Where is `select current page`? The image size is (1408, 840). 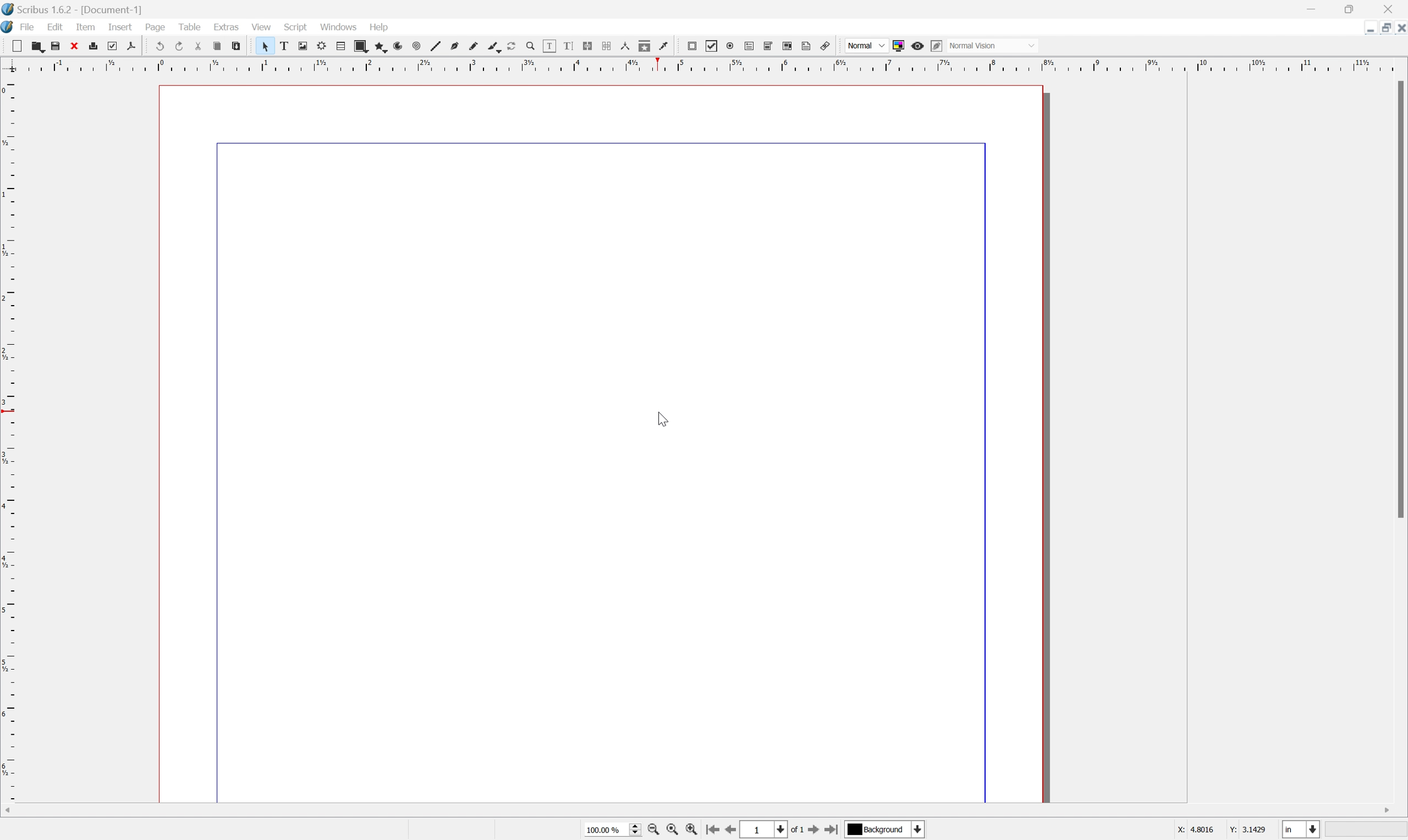
select current page is located at coordinates (771, 830).